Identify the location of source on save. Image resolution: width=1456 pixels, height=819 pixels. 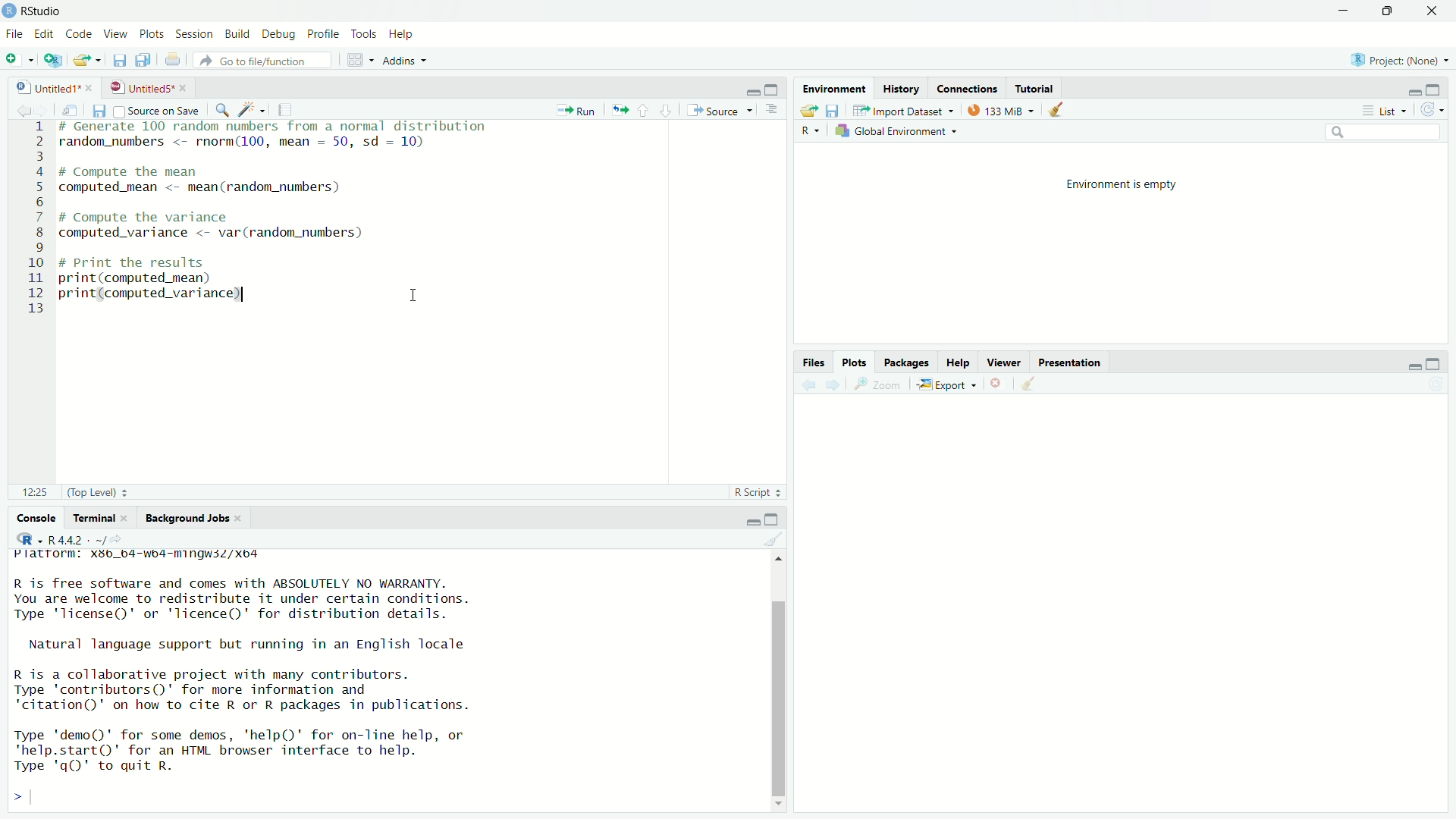
(158, 110).